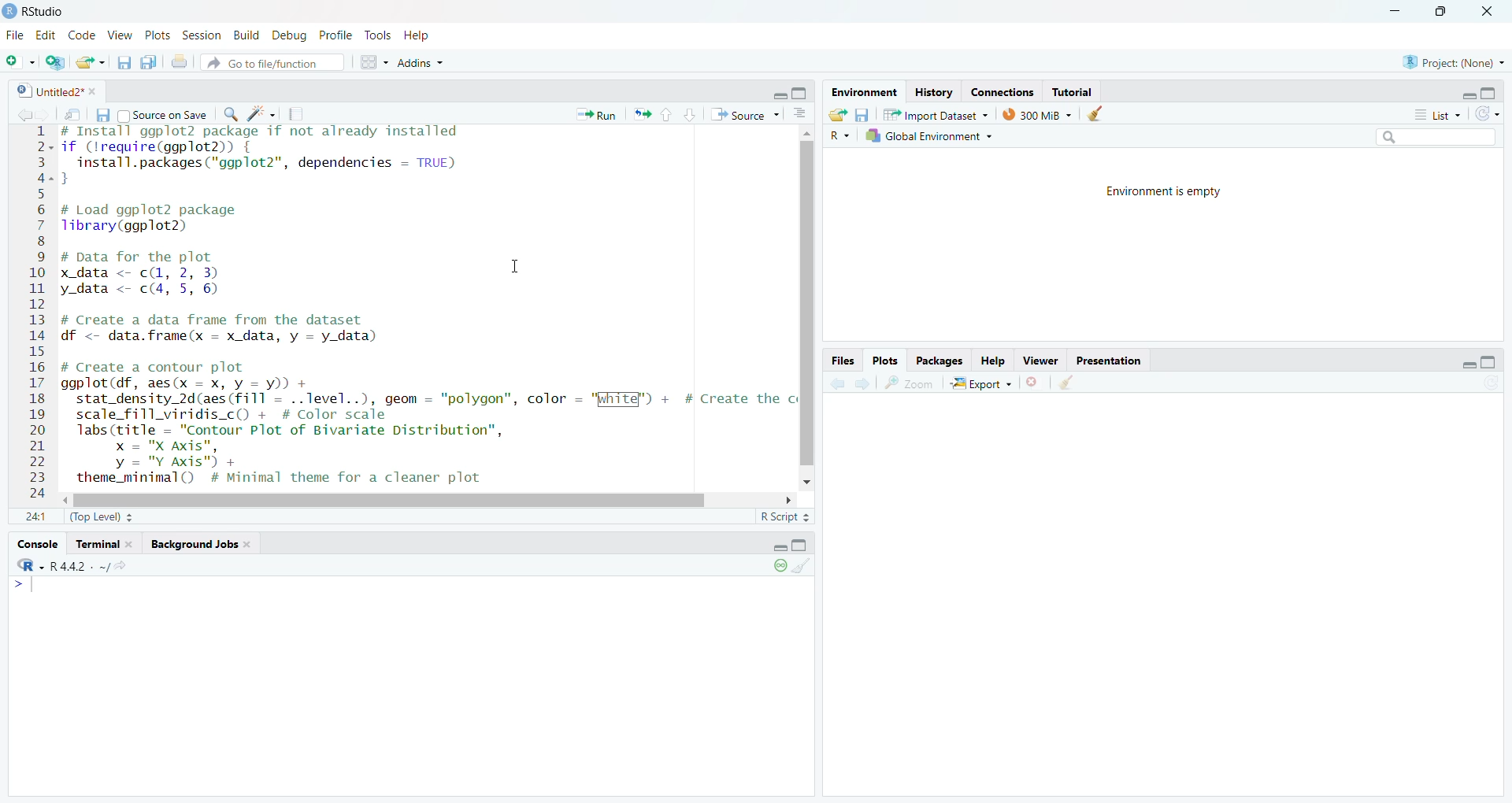  I want to click on hide r script, so click(777, 545).